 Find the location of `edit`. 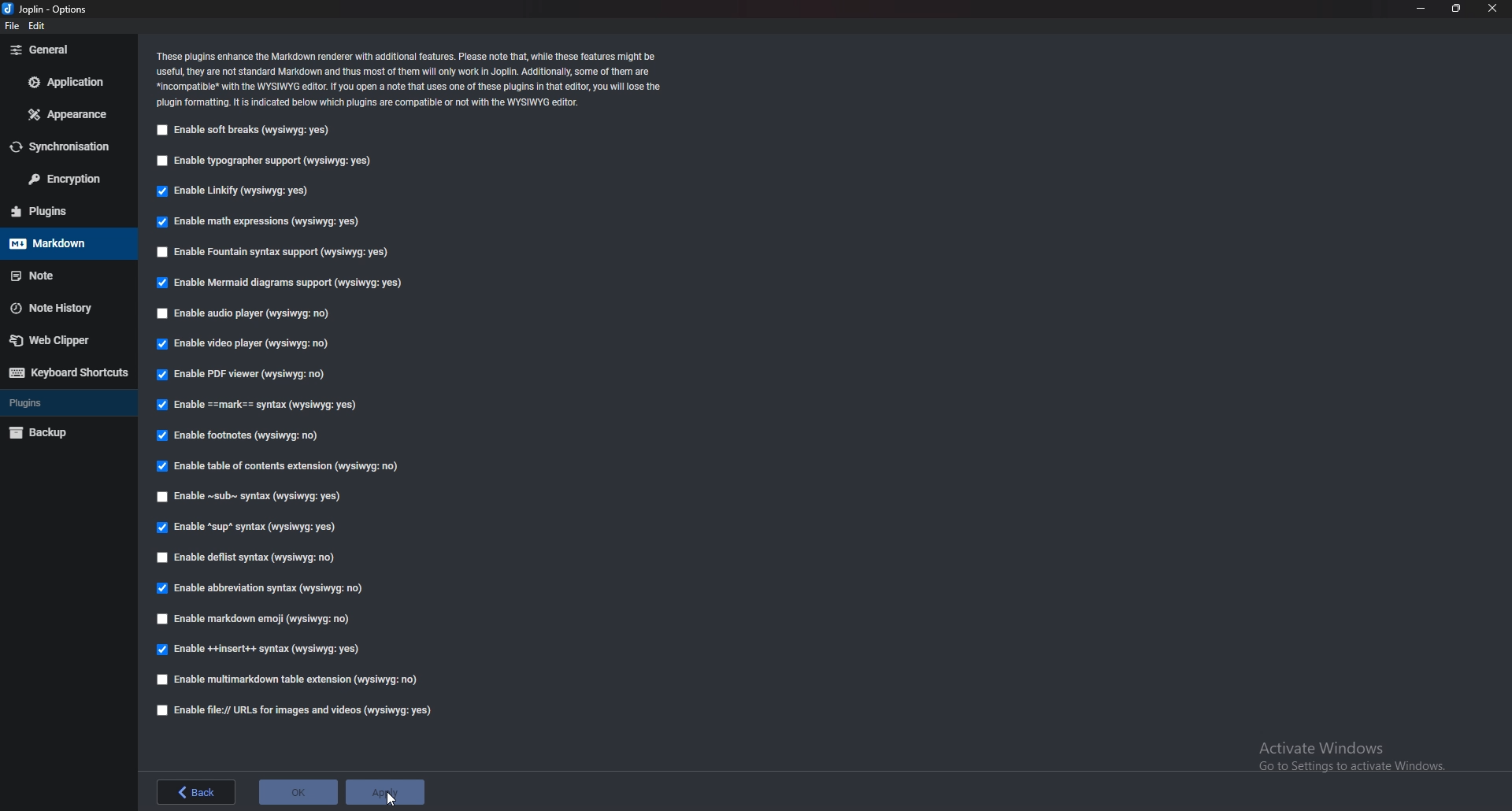

edit is located at coordinates (39, 25).